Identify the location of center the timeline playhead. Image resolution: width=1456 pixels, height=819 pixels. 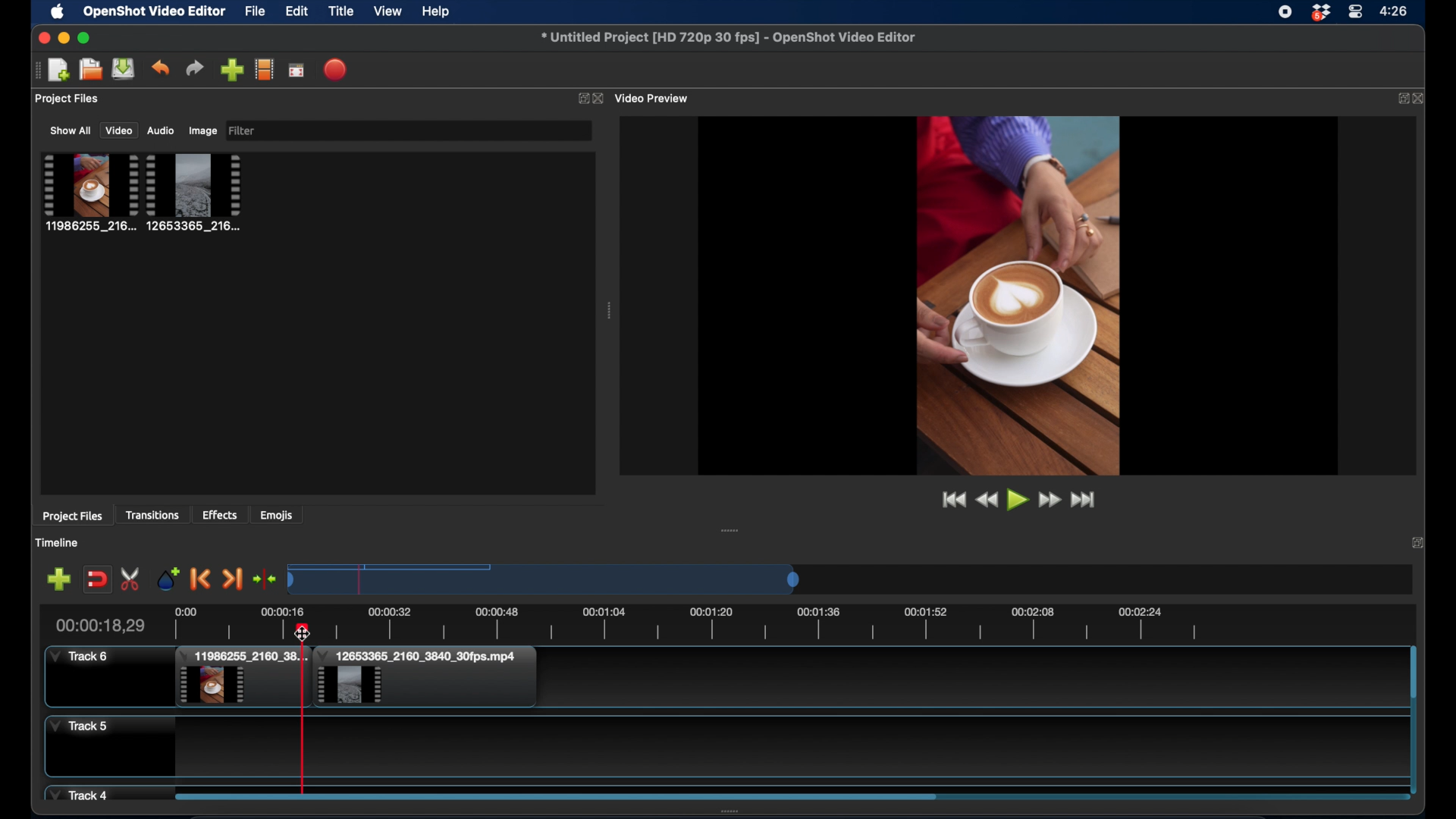
(265, 580).